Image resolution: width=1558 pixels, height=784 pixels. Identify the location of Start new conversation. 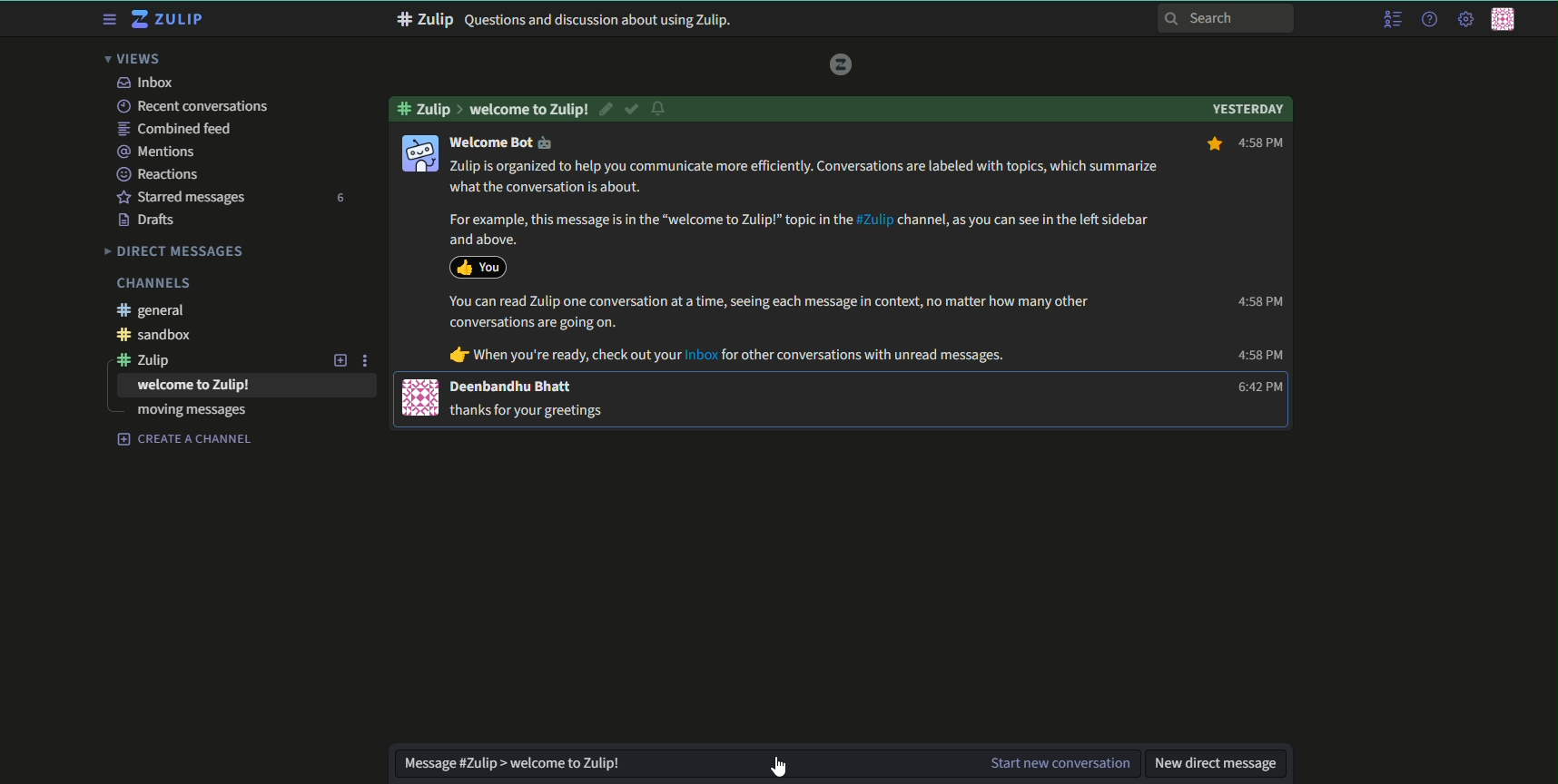
(1060, 764).